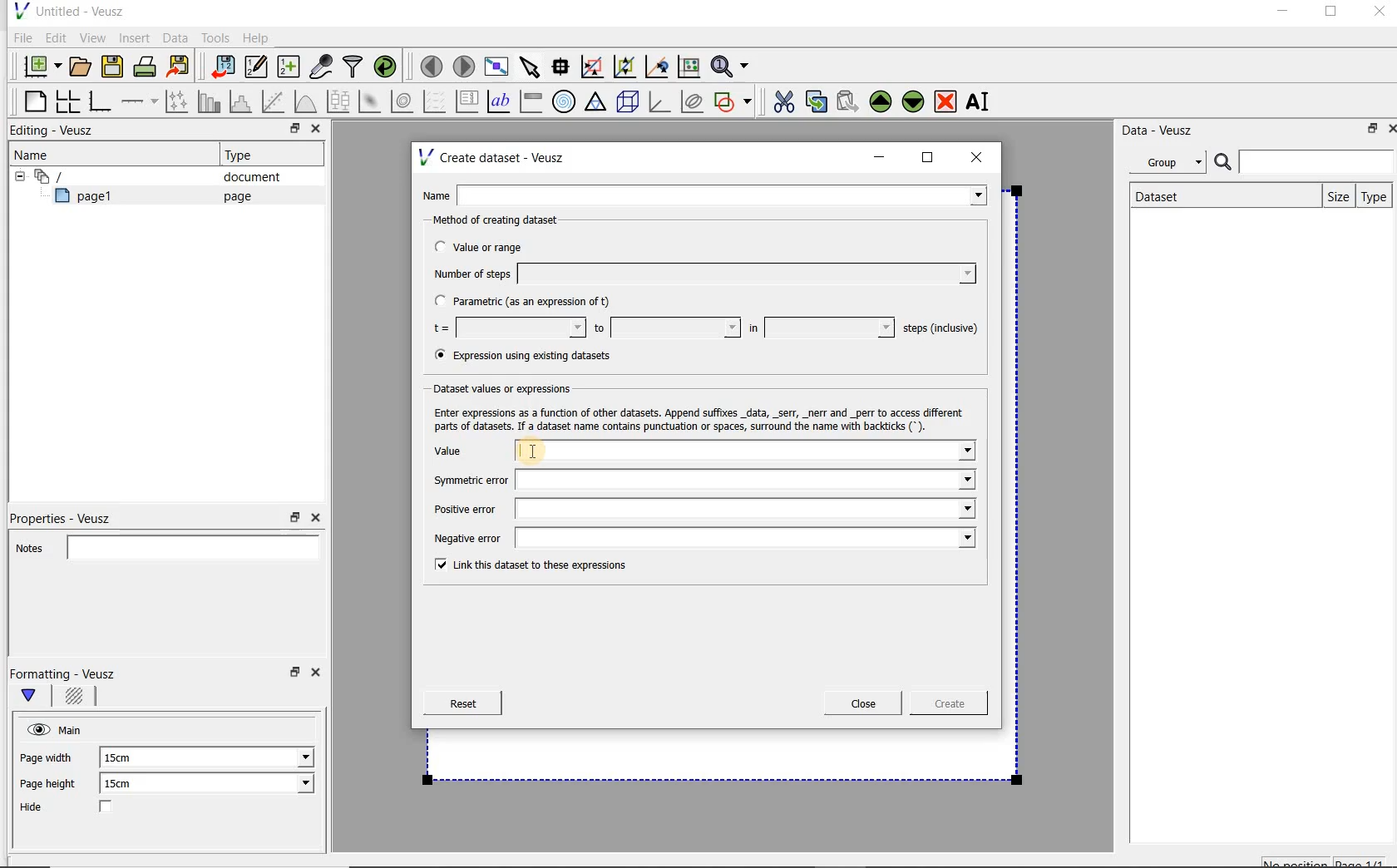  What do you see at coordinates (47, 755) in the screenshot?
I see `Page width` at bounding box center [47, 755].